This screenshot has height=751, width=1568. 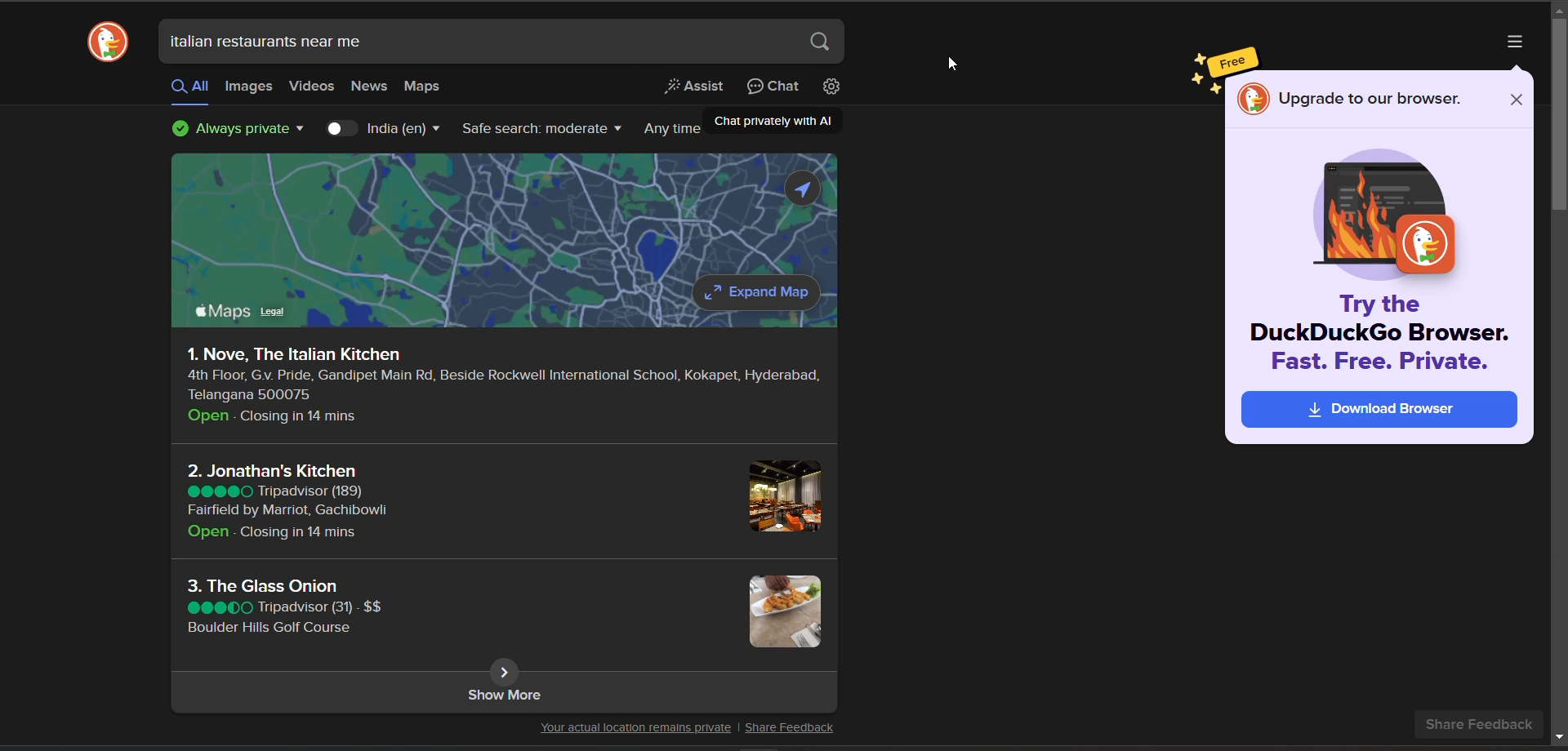 I want to click on more options, so click(x=1515, y=42).